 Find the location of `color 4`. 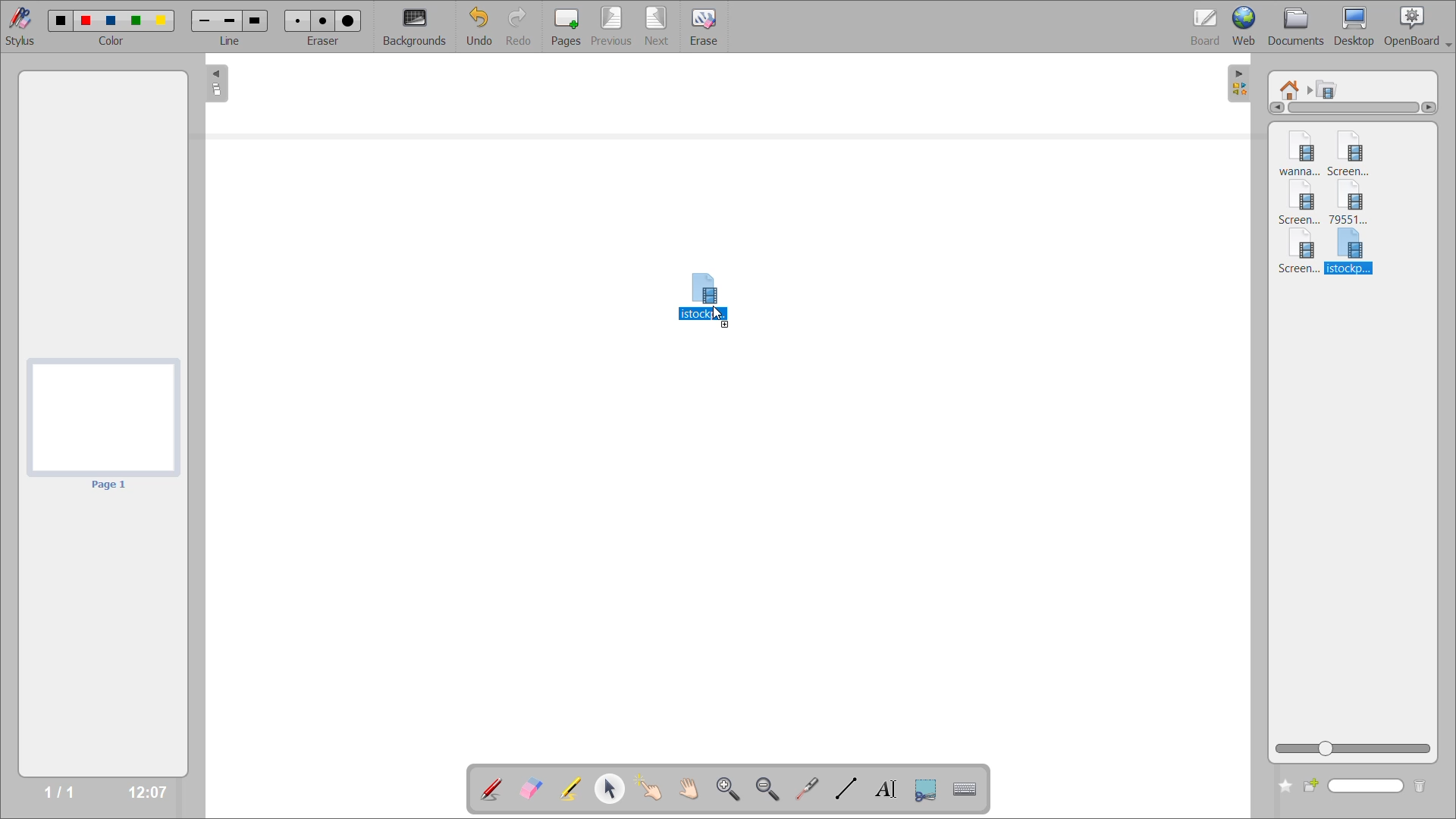

color 4 is located at coordinates (139, 21).